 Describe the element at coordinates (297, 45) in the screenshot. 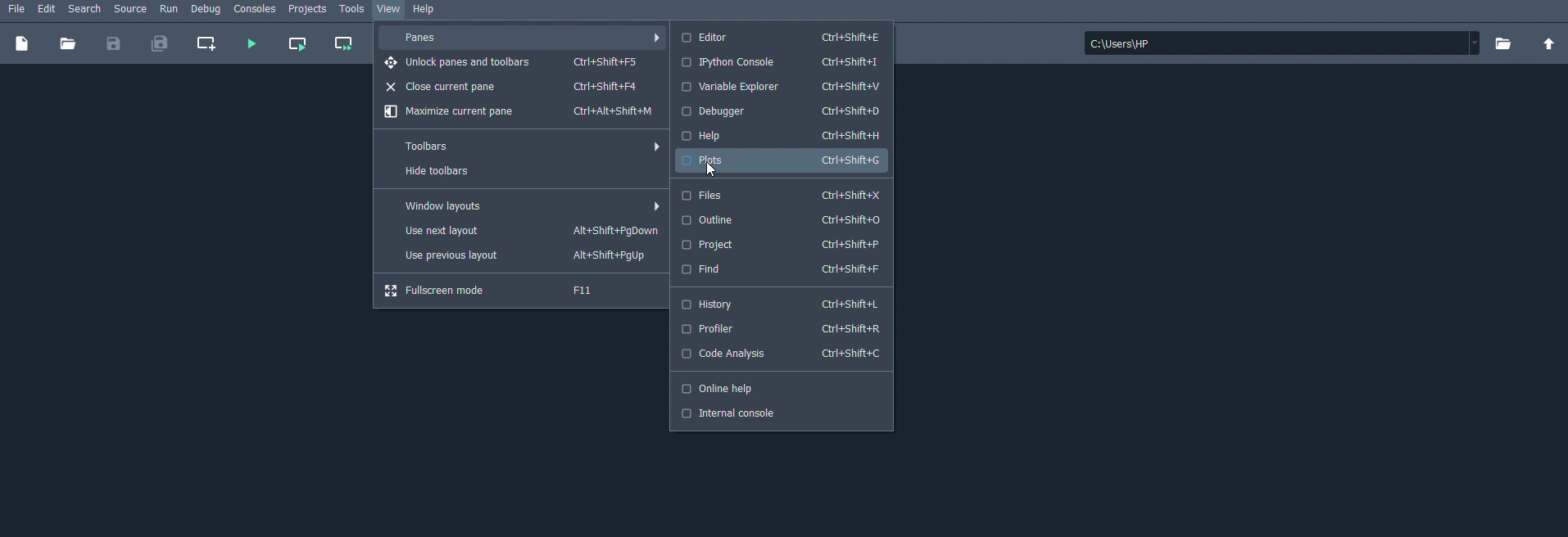

I see `Run current cell` at that location.